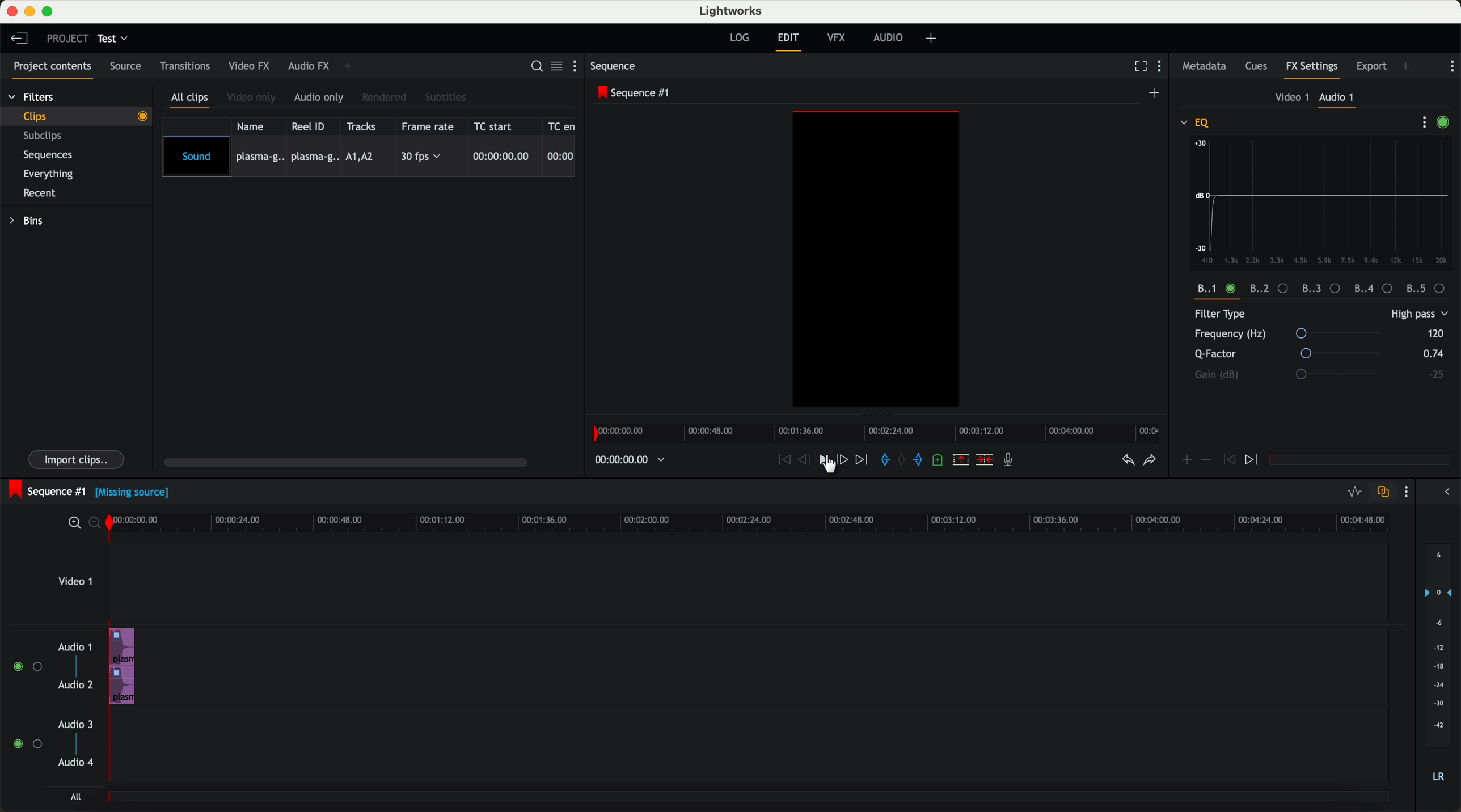 This screenshot has height=812, width=1461. Describe the element at coordinates (1435, 333) in the screenshot. I see `120` at that location.